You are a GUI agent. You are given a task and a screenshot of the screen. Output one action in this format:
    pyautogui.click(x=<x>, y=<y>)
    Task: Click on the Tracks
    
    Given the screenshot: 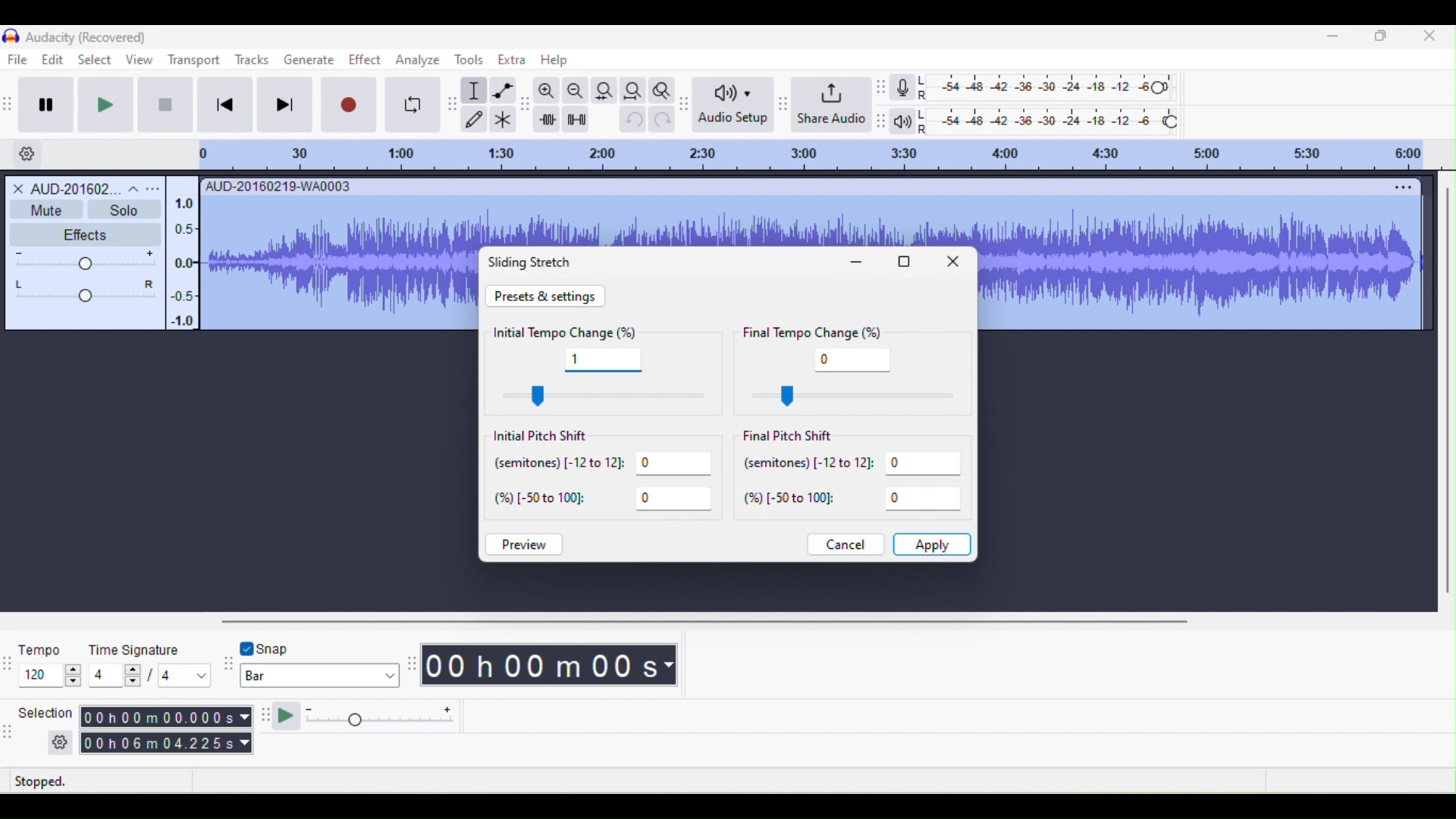 What is the action you would take?
    pyautogui.click(x=253, y=58)
    